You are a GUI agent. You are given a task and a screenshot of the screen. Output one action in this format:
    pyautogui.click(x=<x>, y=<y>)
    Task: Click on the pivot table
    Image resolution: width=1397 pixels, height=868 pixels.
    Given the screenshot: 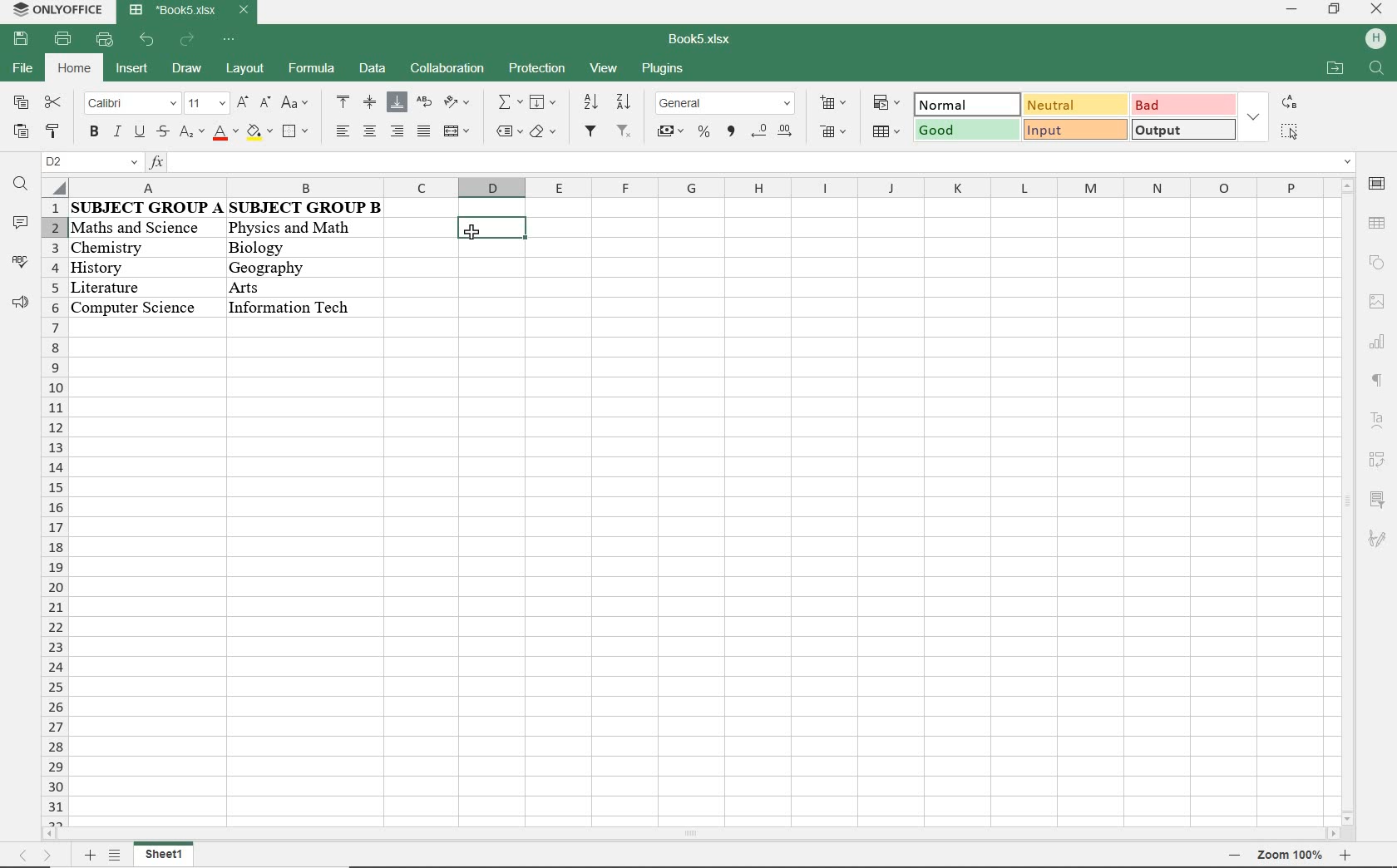 What is the action you would take?
    pyautogui.click(x=1378, y=460)
    